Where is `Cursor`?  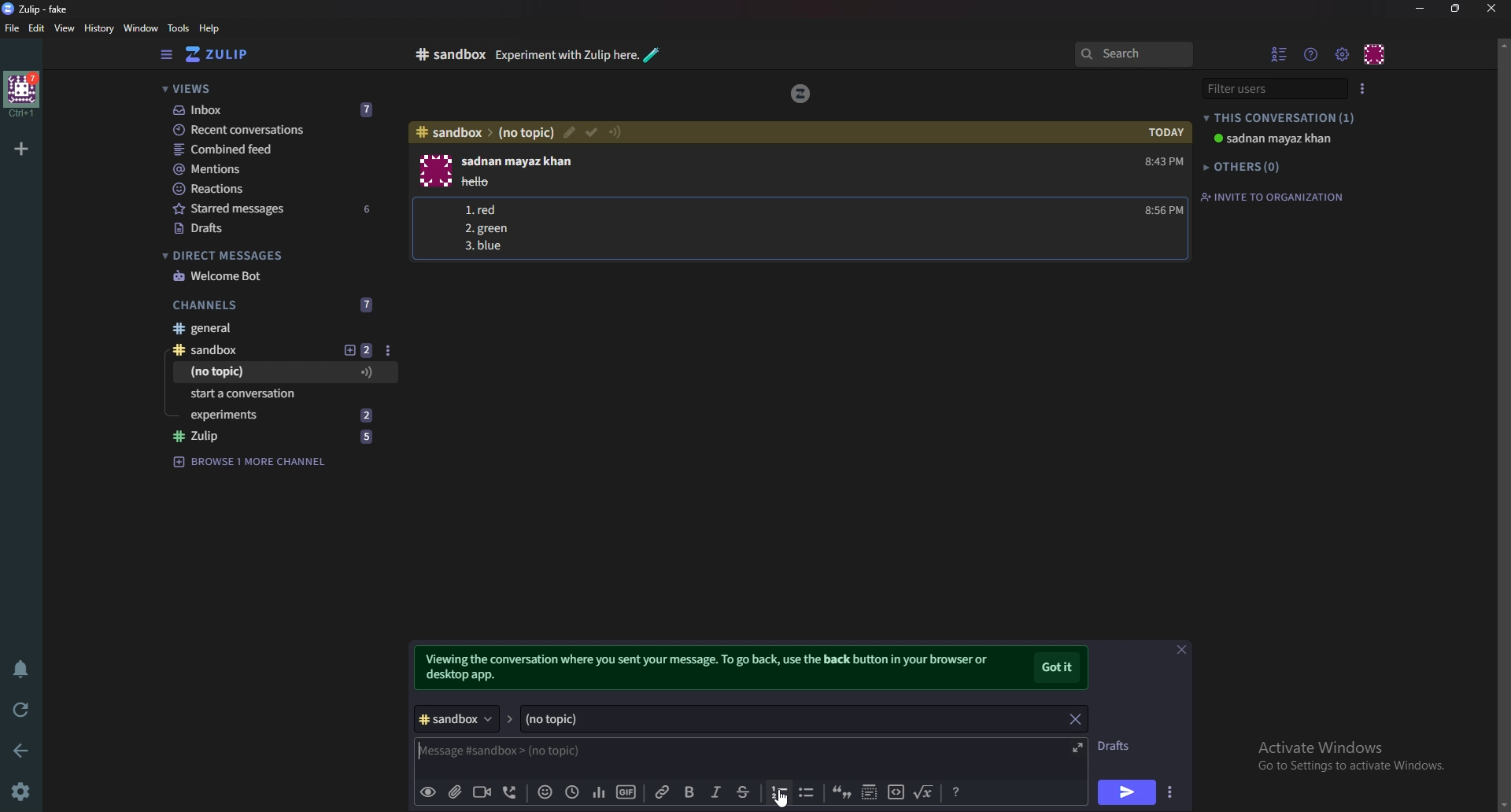
Cursor is located at coordinates (784, 799).